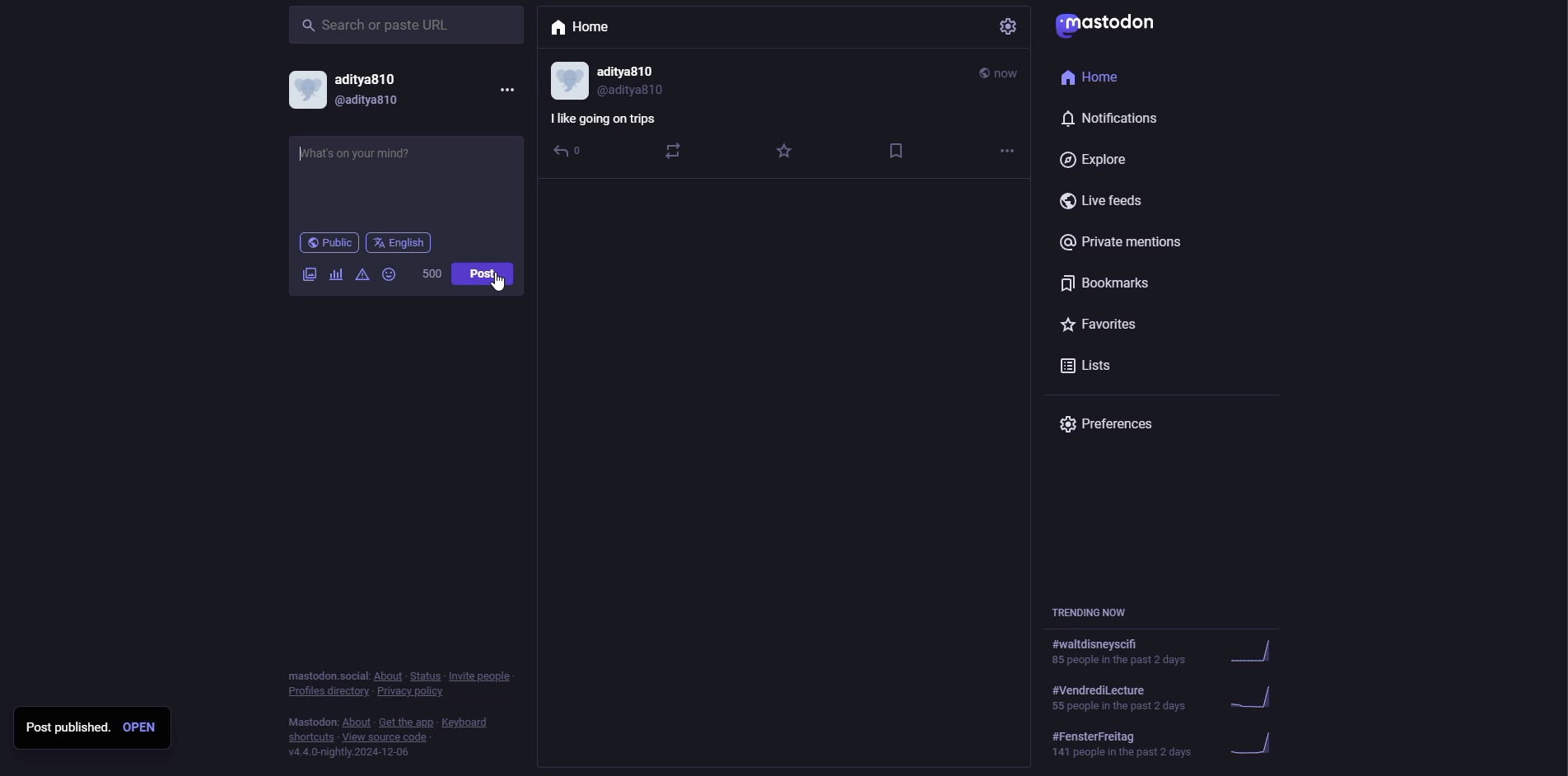 The height and width of the screenshot is (776, 1568). What do you see at coordinates (309, 275) in the screenshot?
I see `image` at bounding box center [309, 275].